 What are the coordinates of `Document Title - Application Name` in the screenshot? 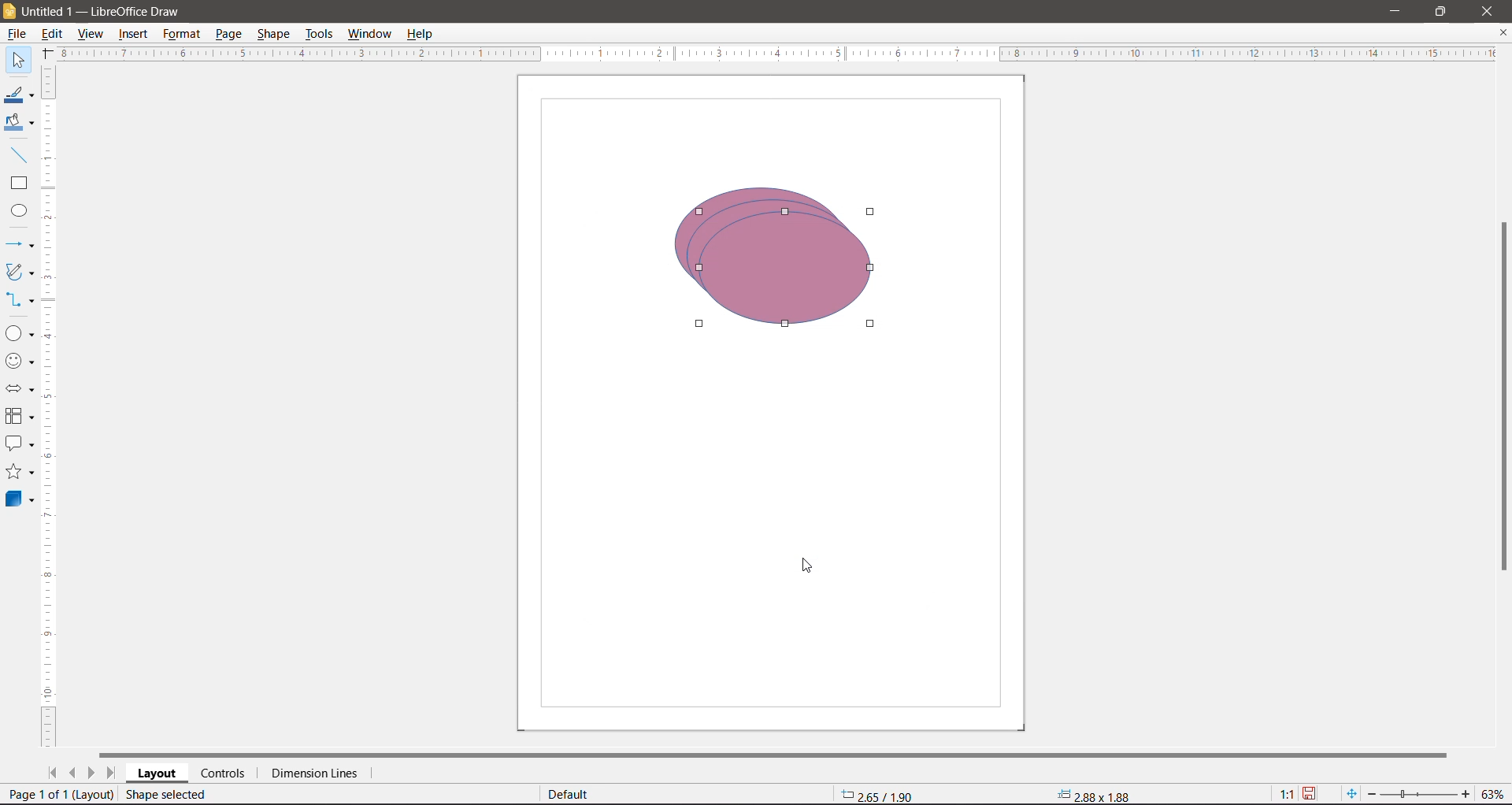 It's located at (119, 10).